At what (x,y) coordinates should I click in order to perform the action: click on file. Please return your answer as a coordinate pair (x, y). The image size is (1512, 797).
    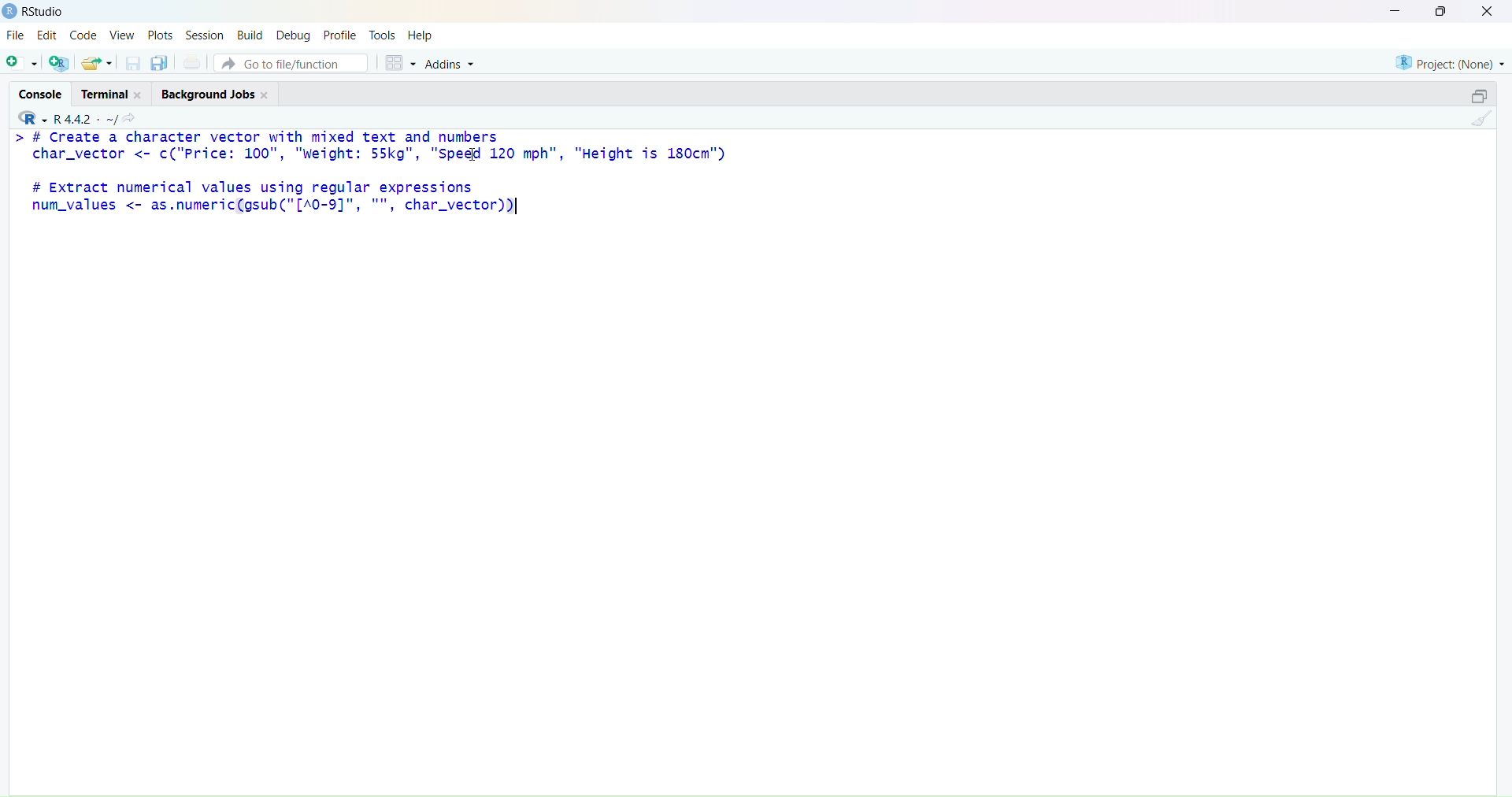
    Looking at the image, I should click on (16, 34).